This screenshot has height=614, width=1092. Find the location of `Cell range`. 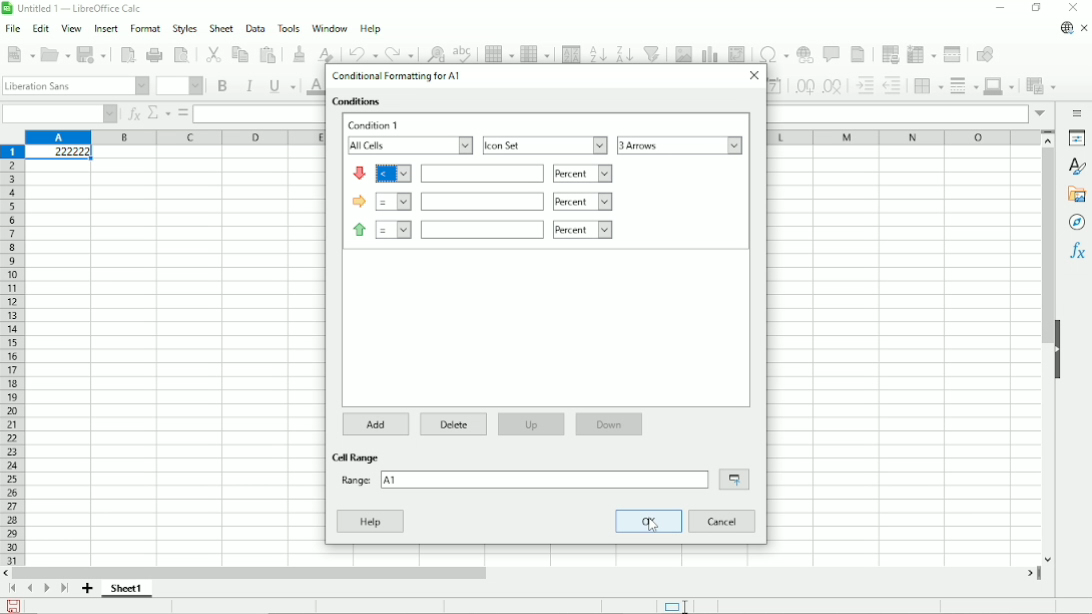

Cell range is located at coordinates (358, 457).